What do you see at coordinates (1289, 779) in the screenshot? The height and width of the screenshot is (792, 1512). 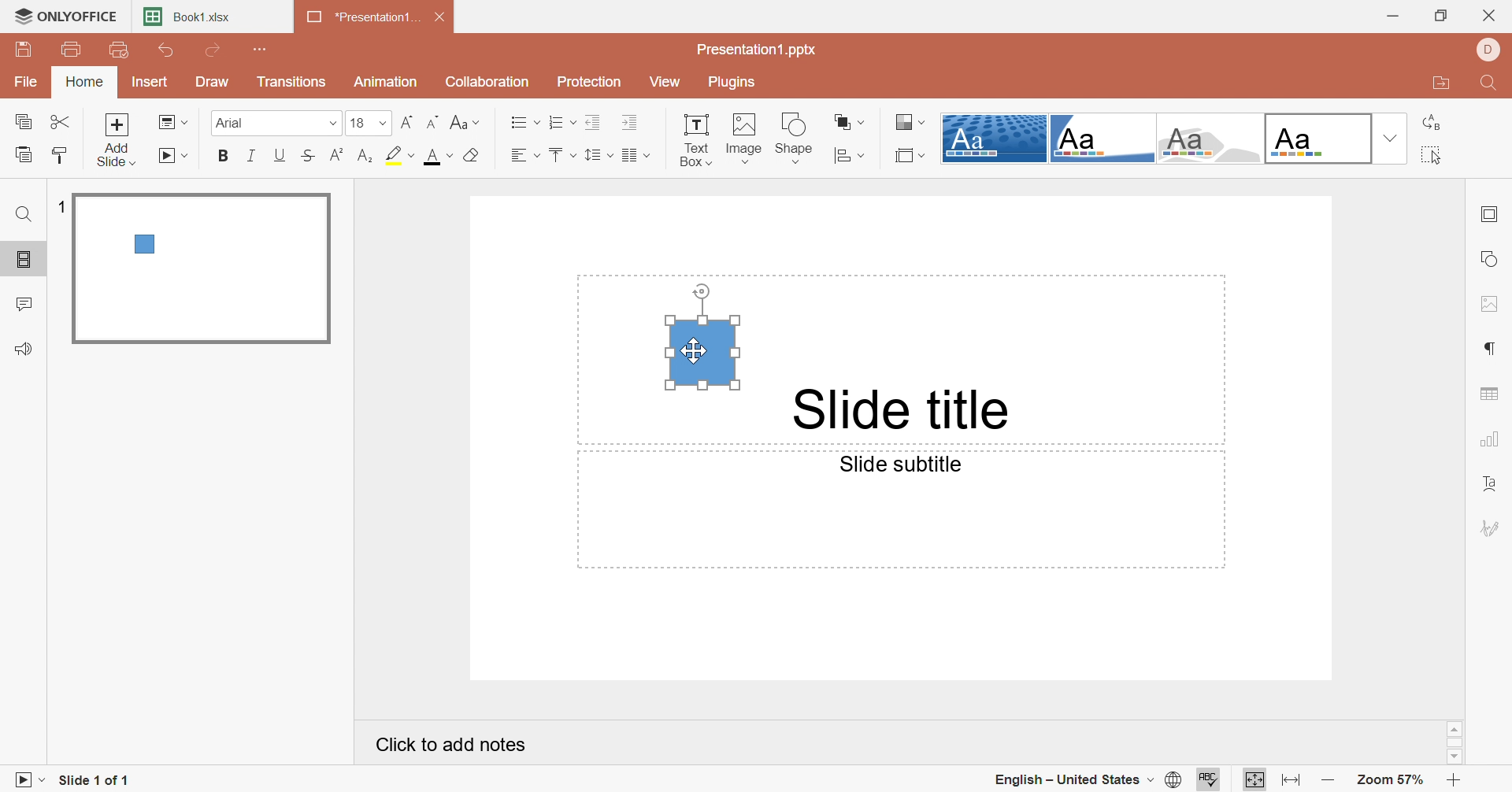 I see `Fit to width` at bounding box center [1289, 779].